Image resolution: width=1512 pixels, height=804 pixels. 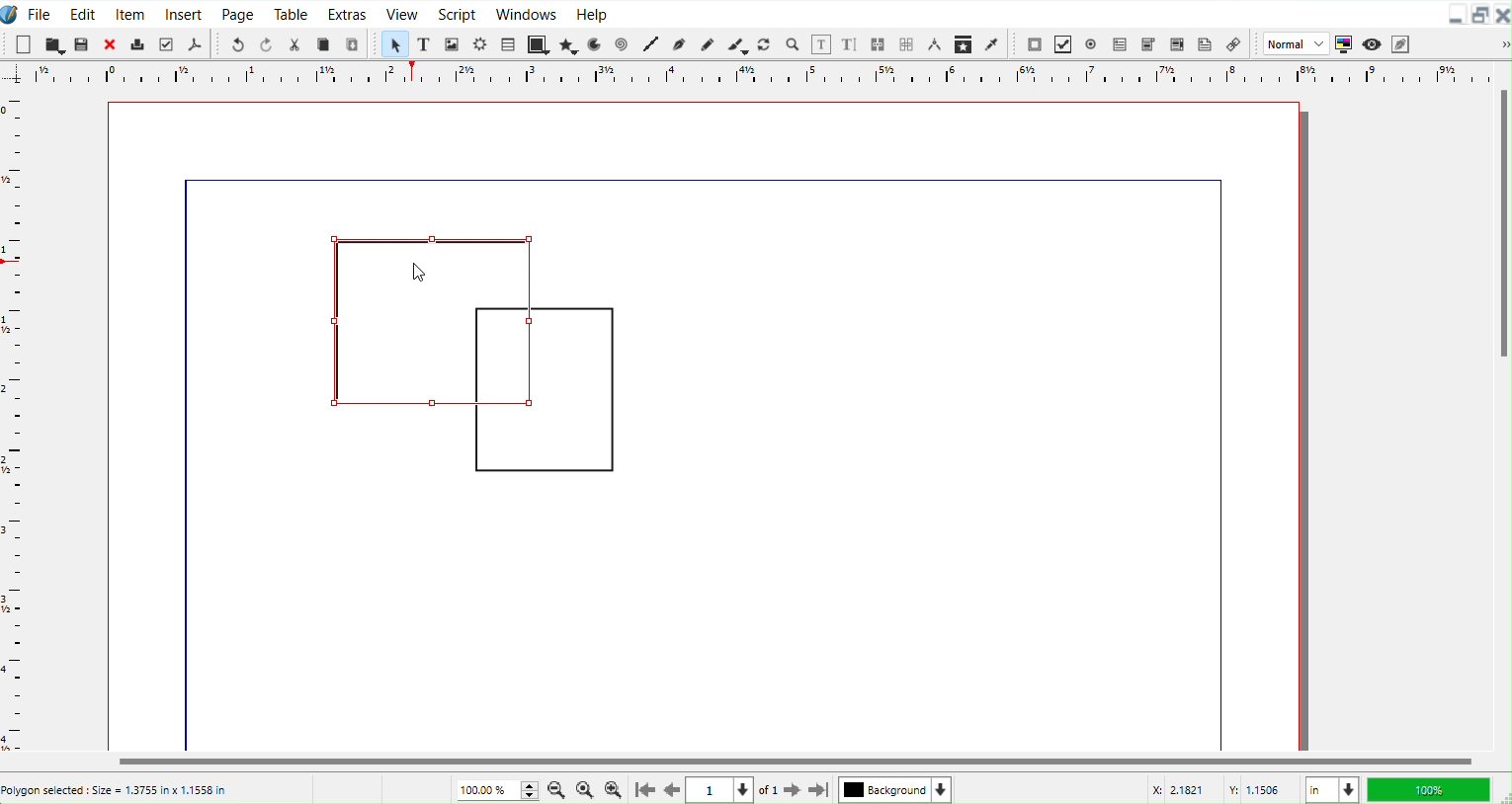 What do you see at coordinates (1332, 789) in the screenshot?
I see `Measurement in Inches ` at bounding box center [1332, 789].